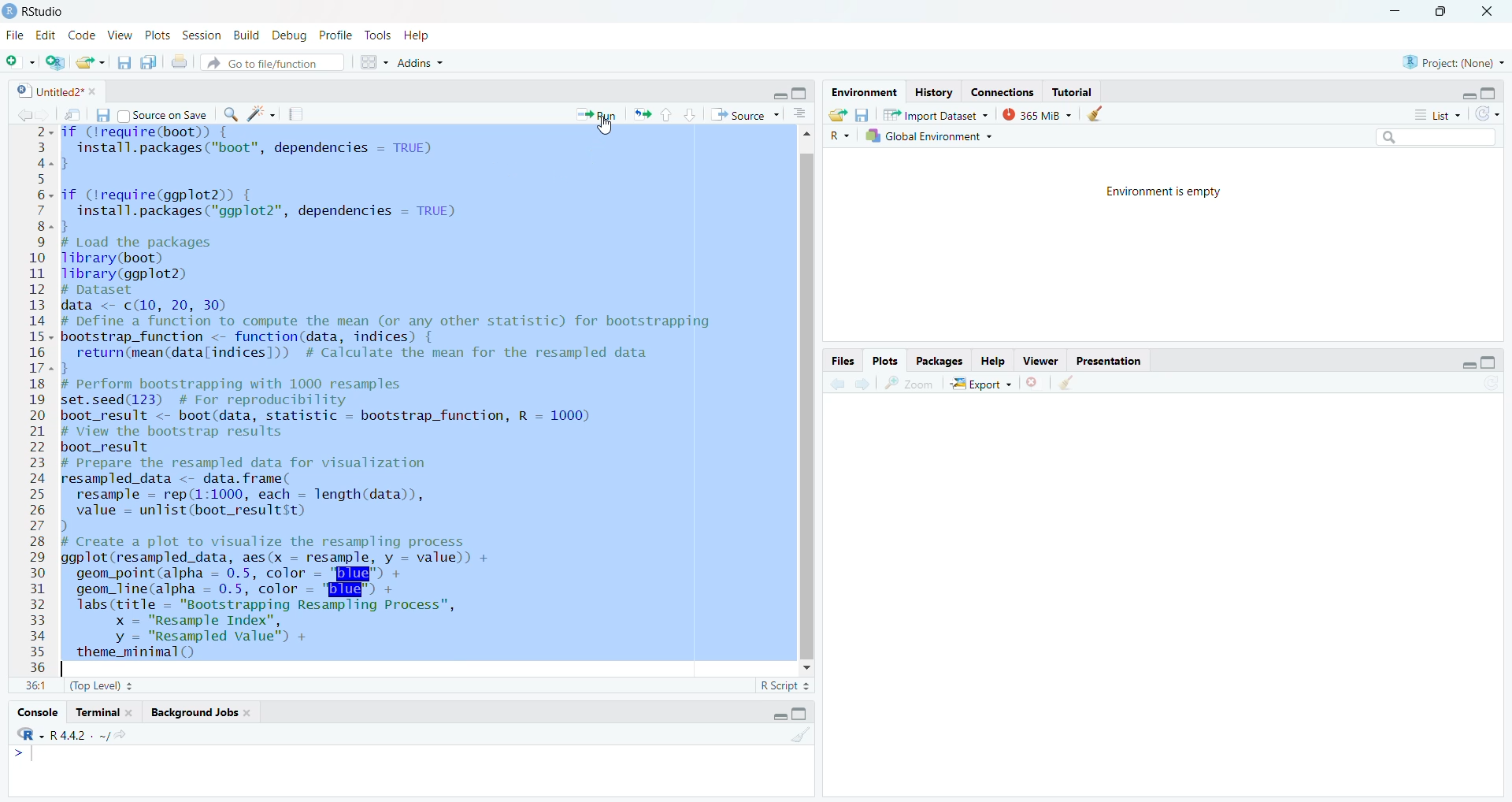 Image resolution: width=1512 pixels, height=802 pixels. I want to click on vertical scroll bar, so click(804, 399).